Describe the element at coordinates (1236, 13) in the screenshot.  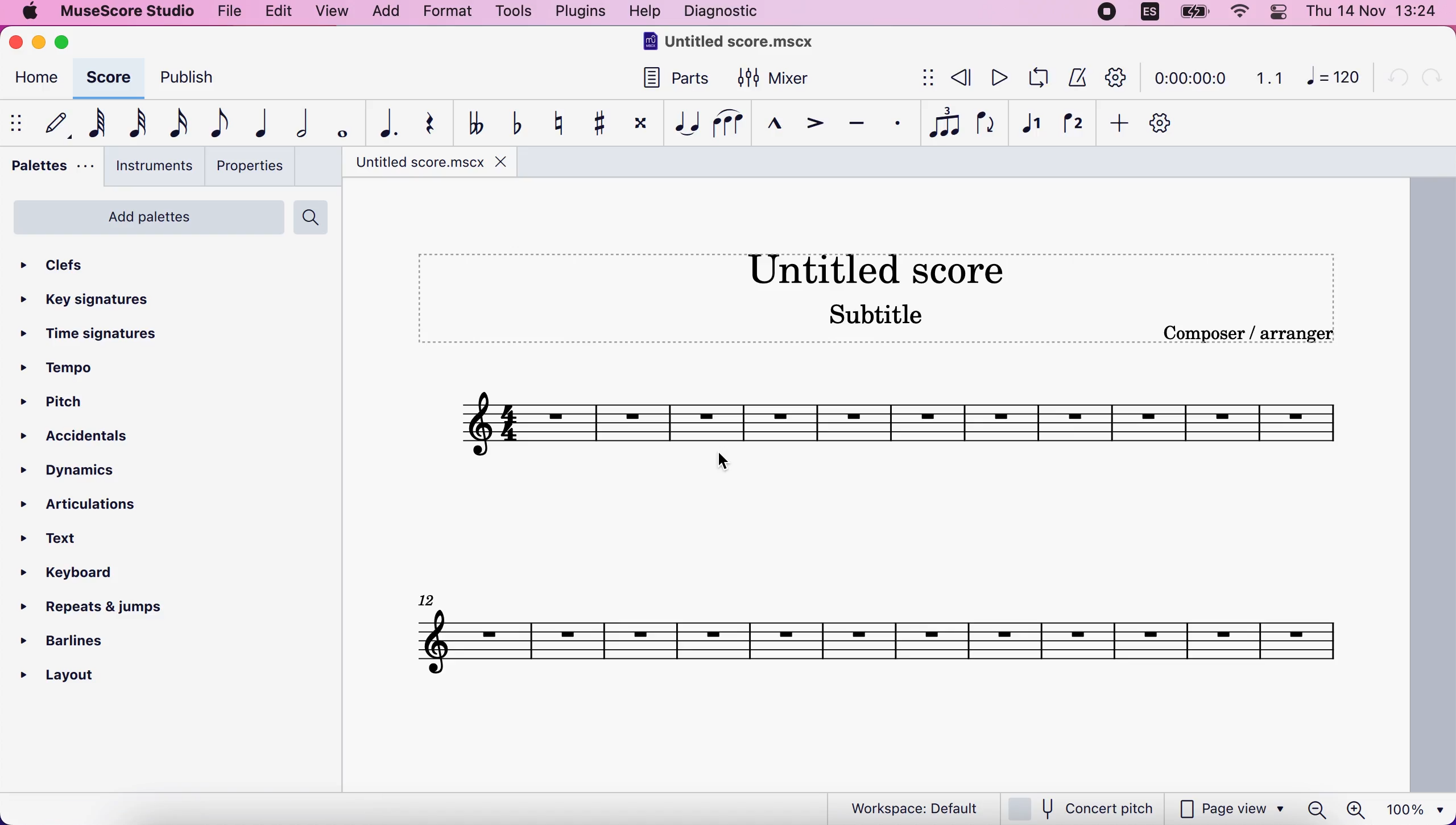
I see `wifi` at that location.